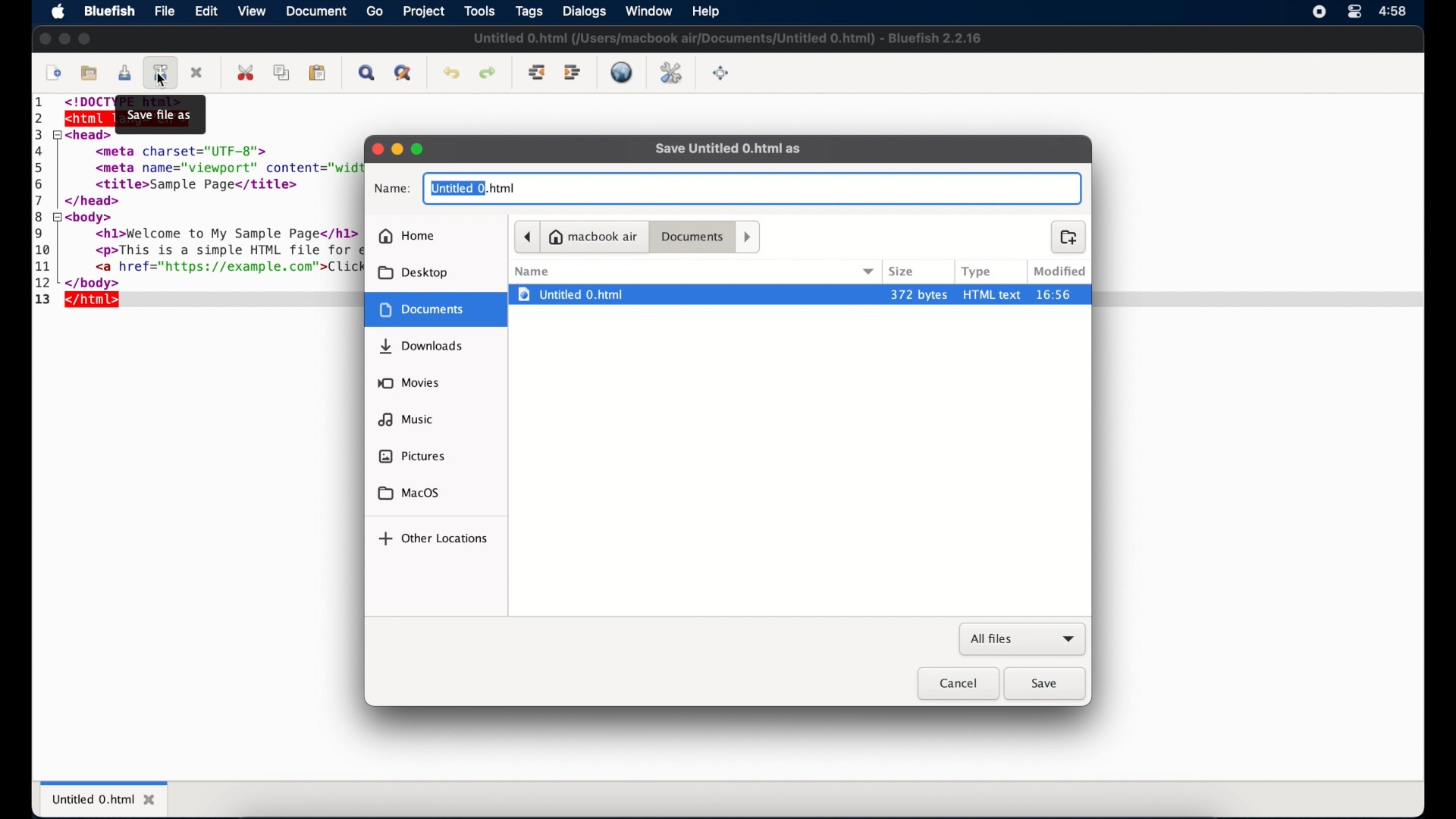 The width and height of the screenshot is (1456, 819). I want to click on 13, so click(42, 300).